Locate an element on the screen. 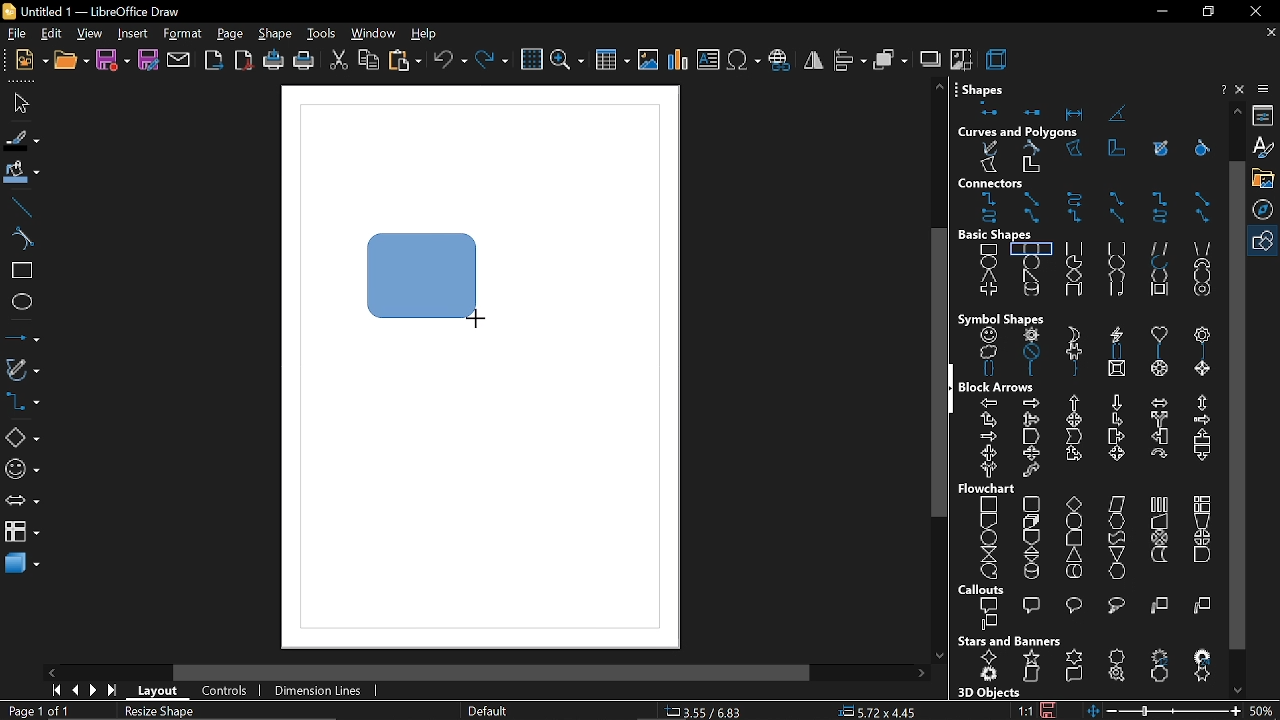 This screenshot has width=1280, height=720. restore down is located at coordinates (1206, 12).